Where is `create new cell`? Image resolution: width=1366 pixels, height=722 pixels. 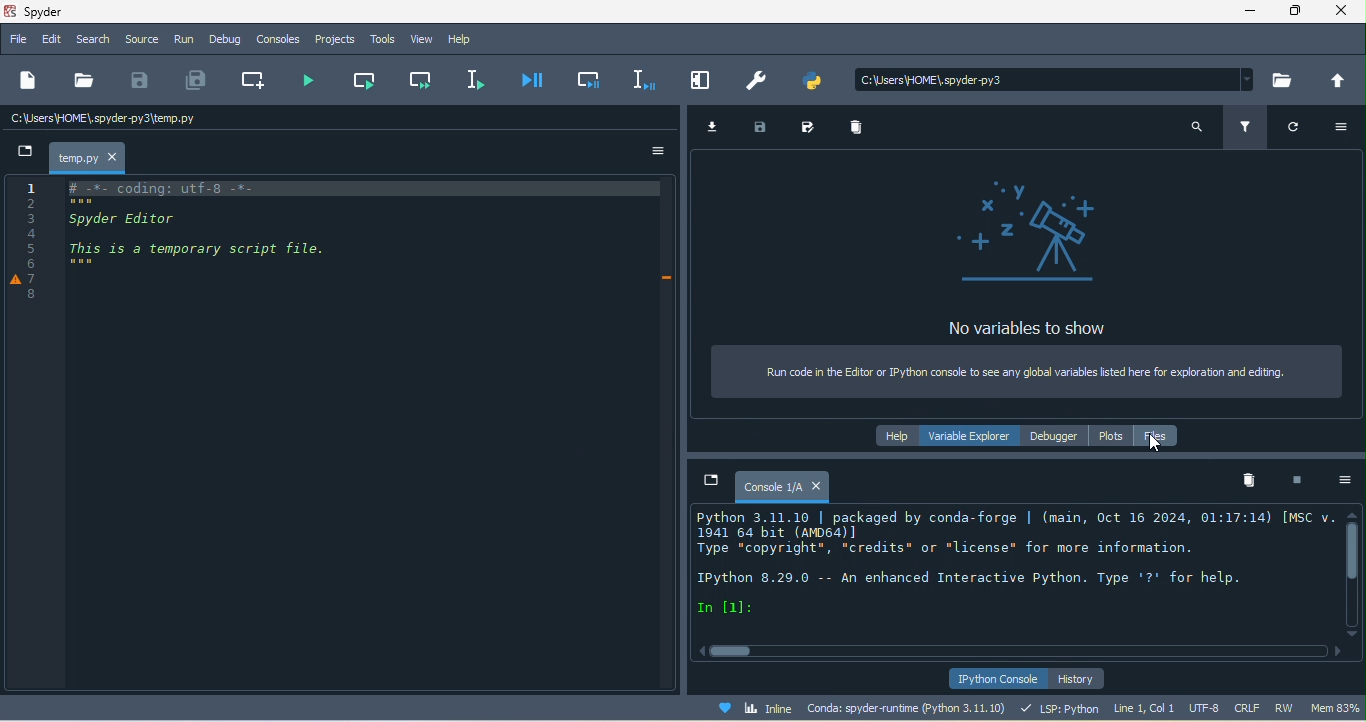
create new cell is located at coordinates (251, 80).